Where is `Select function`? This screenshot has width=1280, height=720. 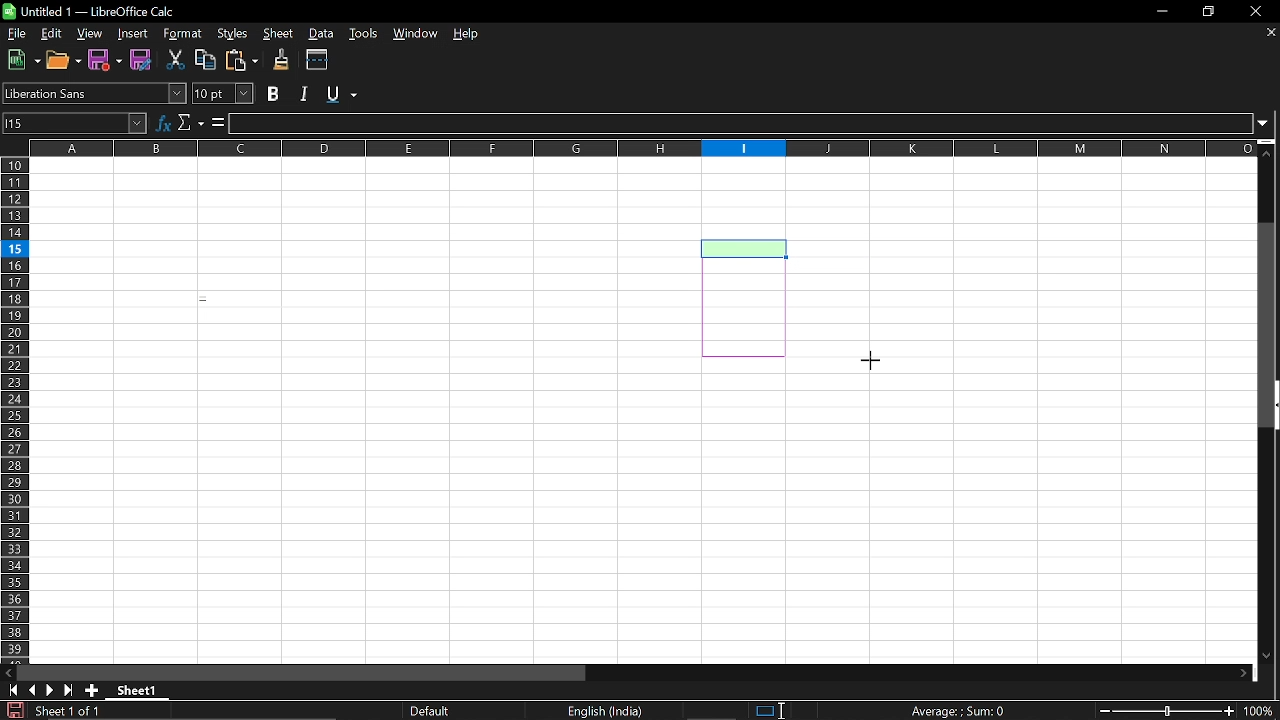 Select function is located at coordinates (191, 123).